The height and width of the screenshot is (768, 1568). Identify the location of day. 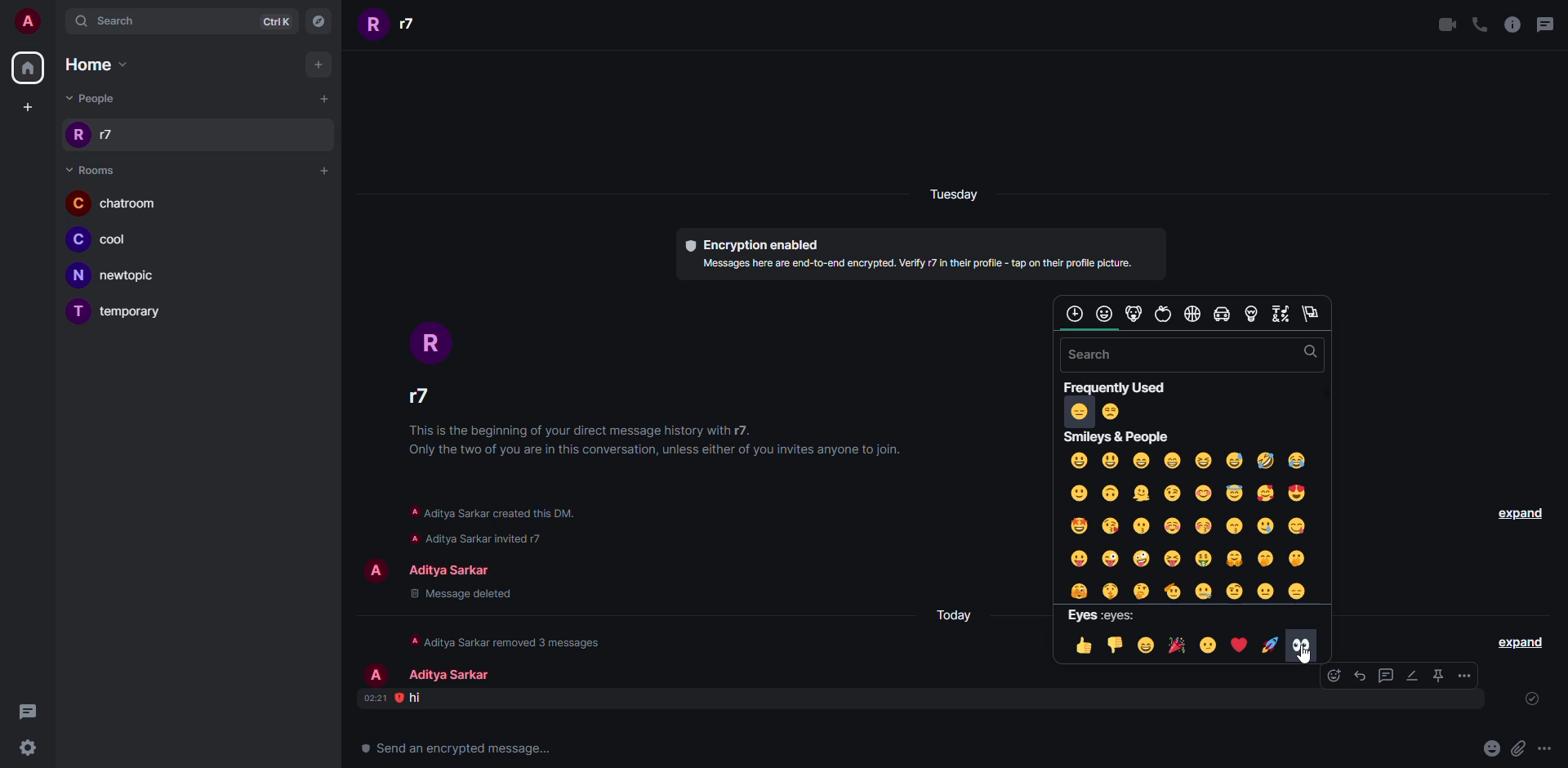
(959, 614).